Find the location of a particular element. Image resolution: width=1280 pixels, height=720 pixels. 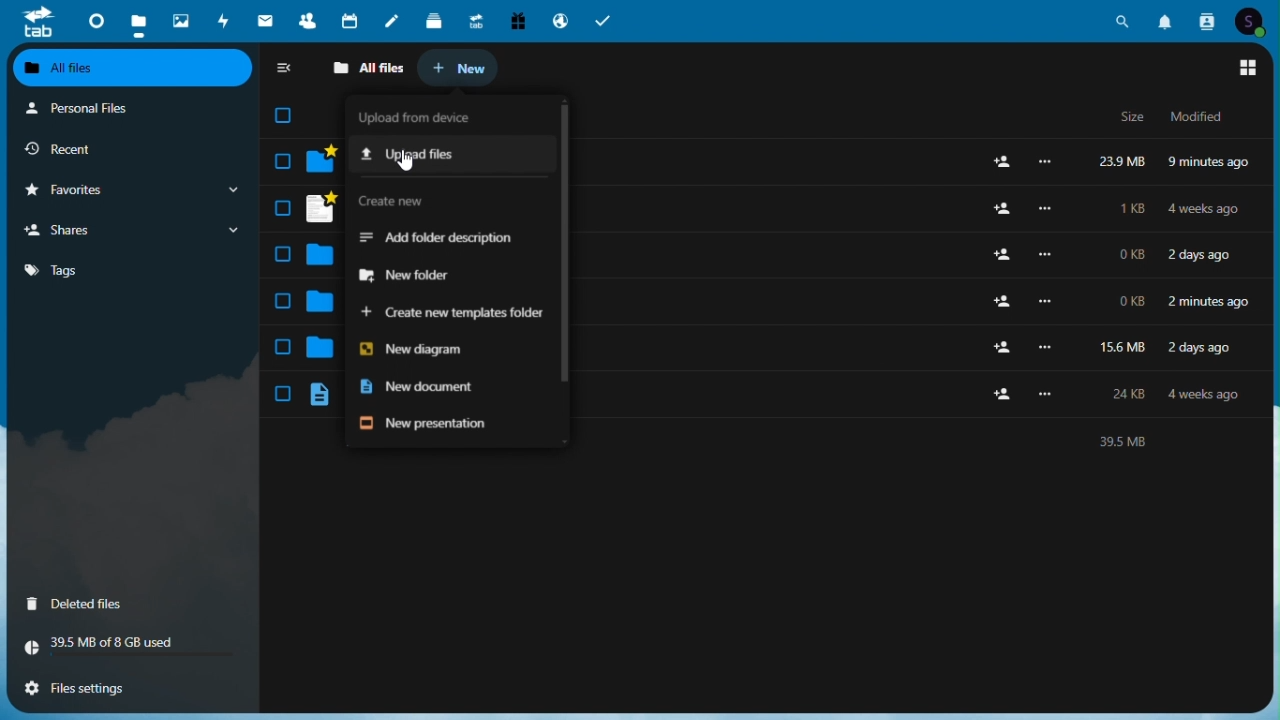

Files is located at coordinates (1112, 208).